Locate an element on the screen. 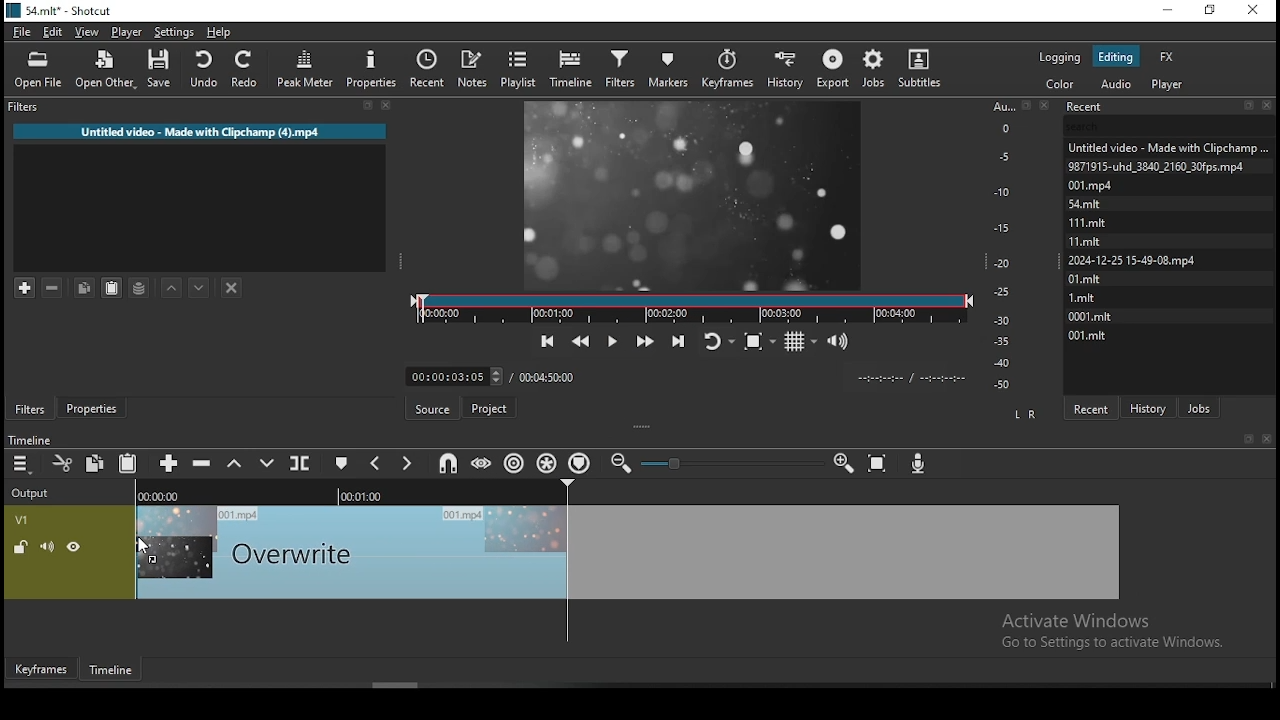 Image resolution: width=1280 pixels, height=720 pixels. close is located at coordinates (1267, 438).